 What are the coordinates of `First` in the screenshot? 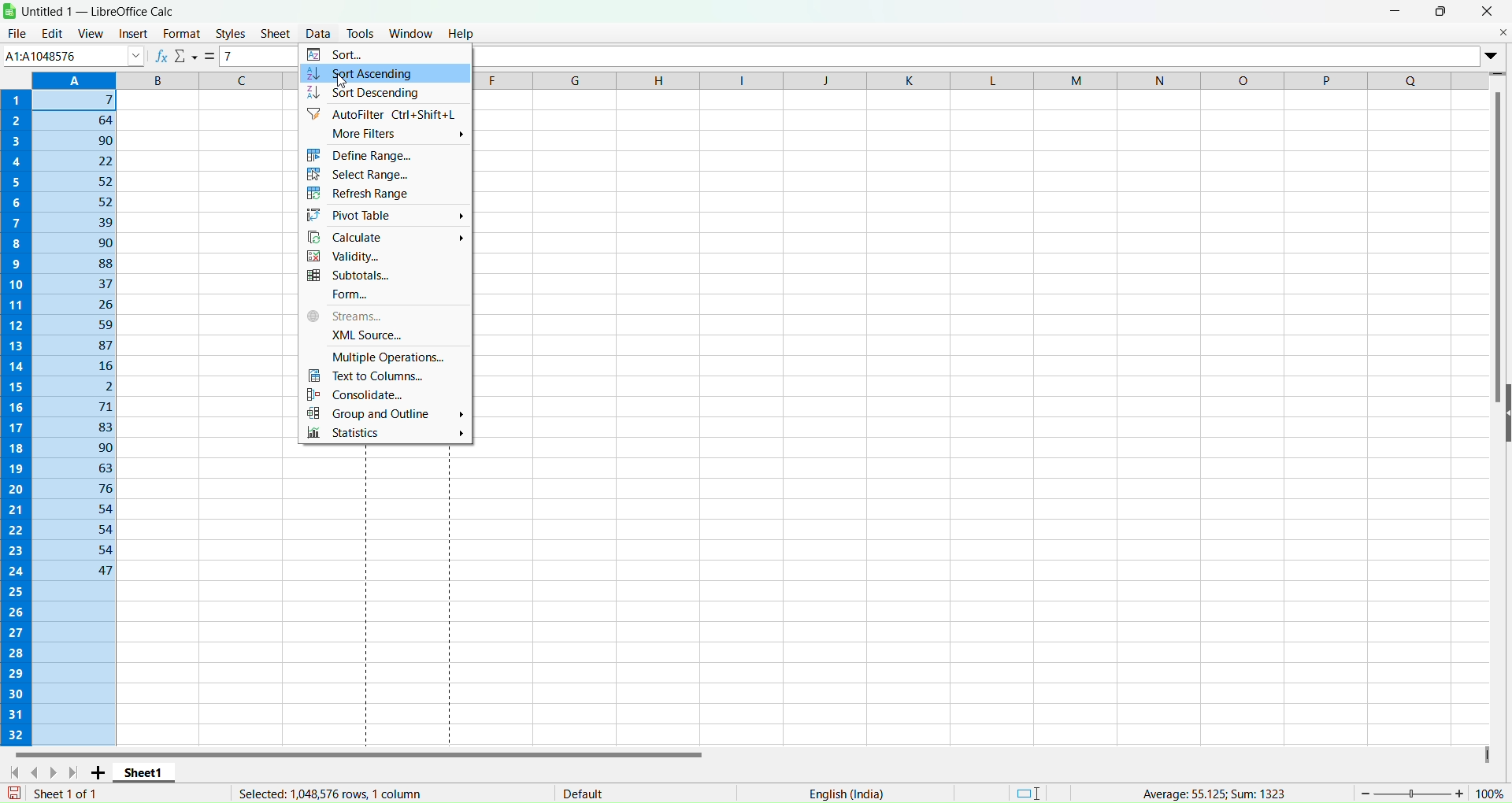 It's located at (15, 772).